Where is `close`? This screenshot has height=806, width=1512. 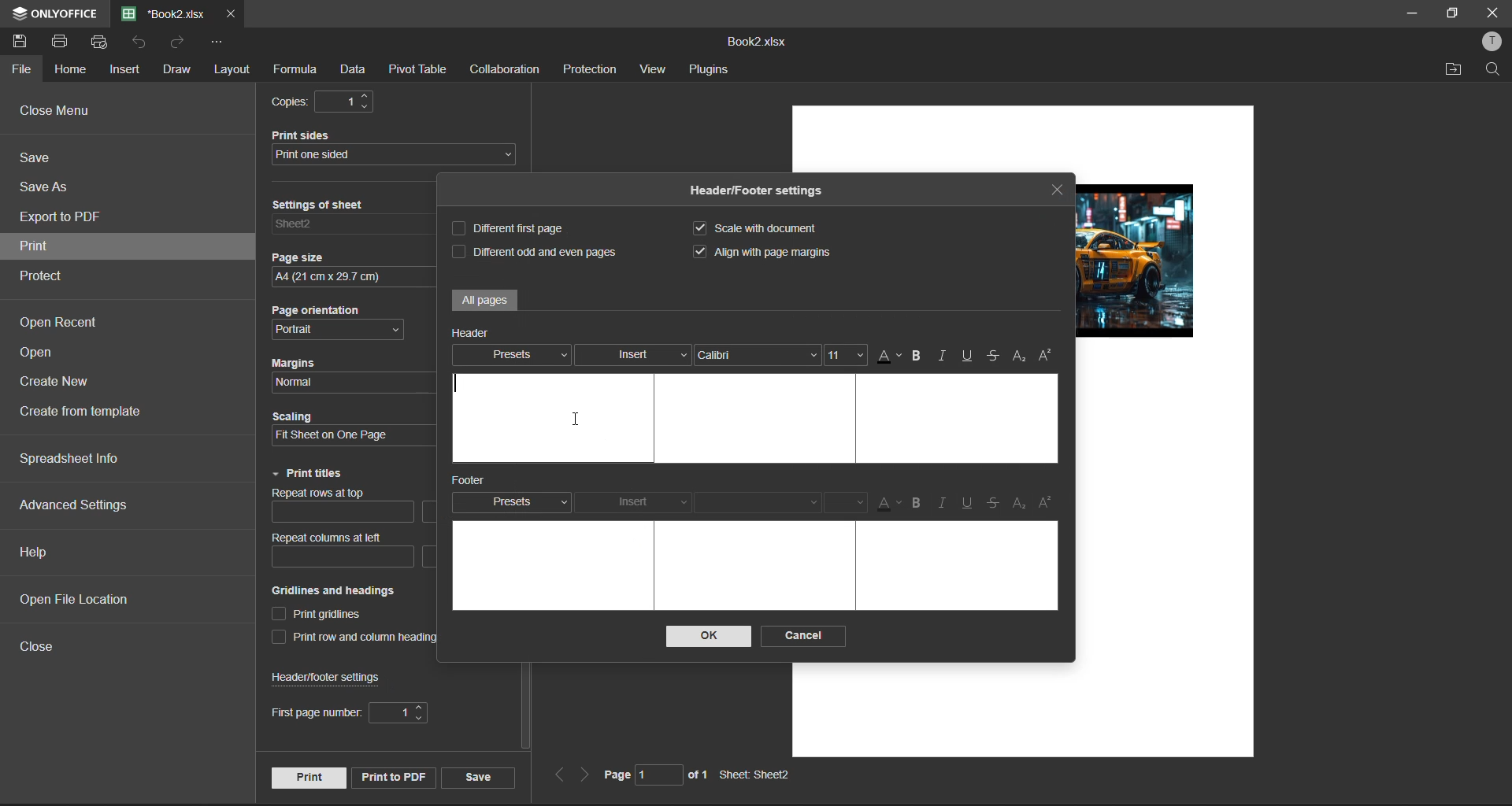 close is located at coordinates (1493, 12).